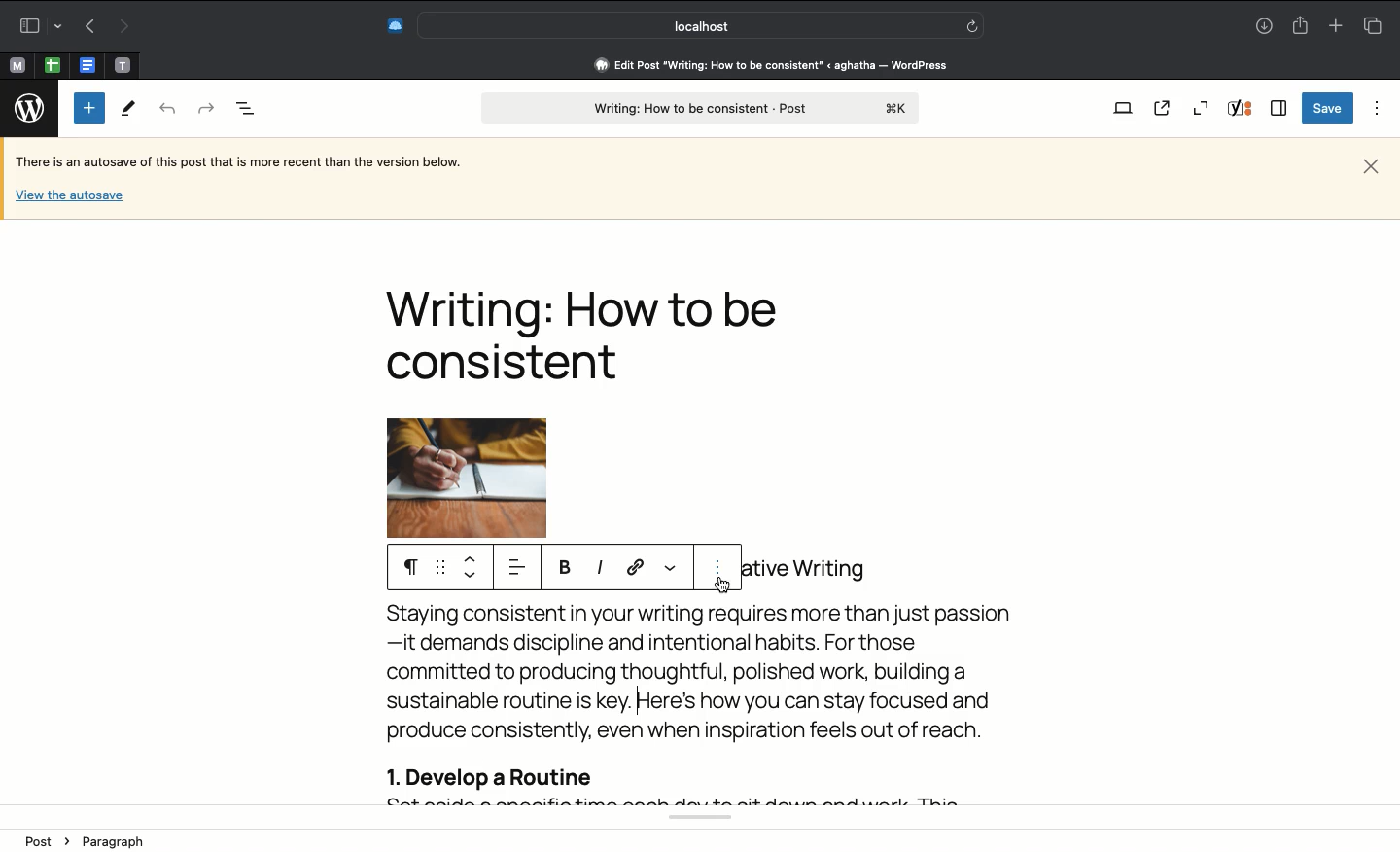 The width and height of the screenshot is (1400, 852). What do you see at coordinates (758, 65) in the screenshot?
I see `Address` at bounding box center [758, 65].